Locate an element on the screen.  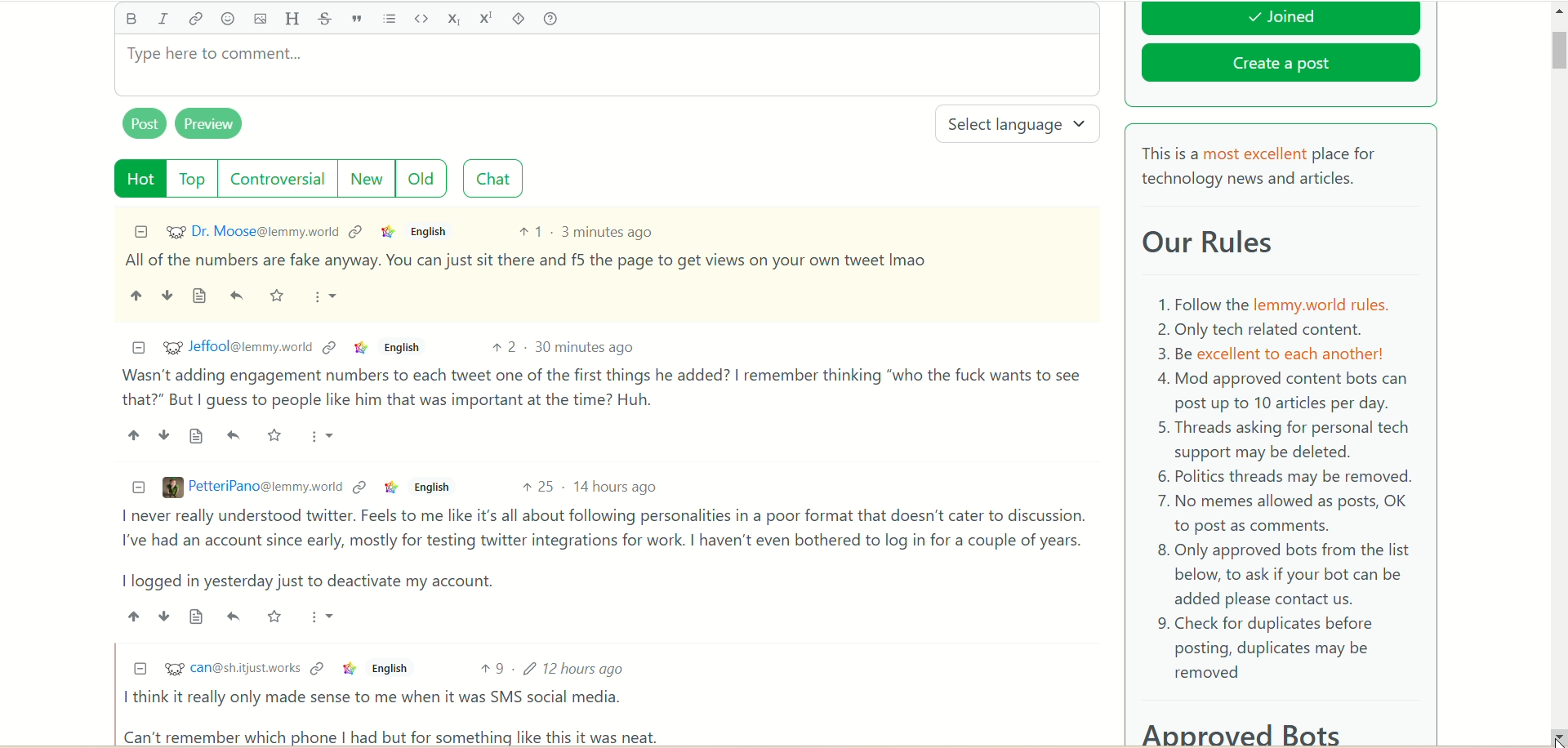
14 hours ago is located at coordinates (617, 487).